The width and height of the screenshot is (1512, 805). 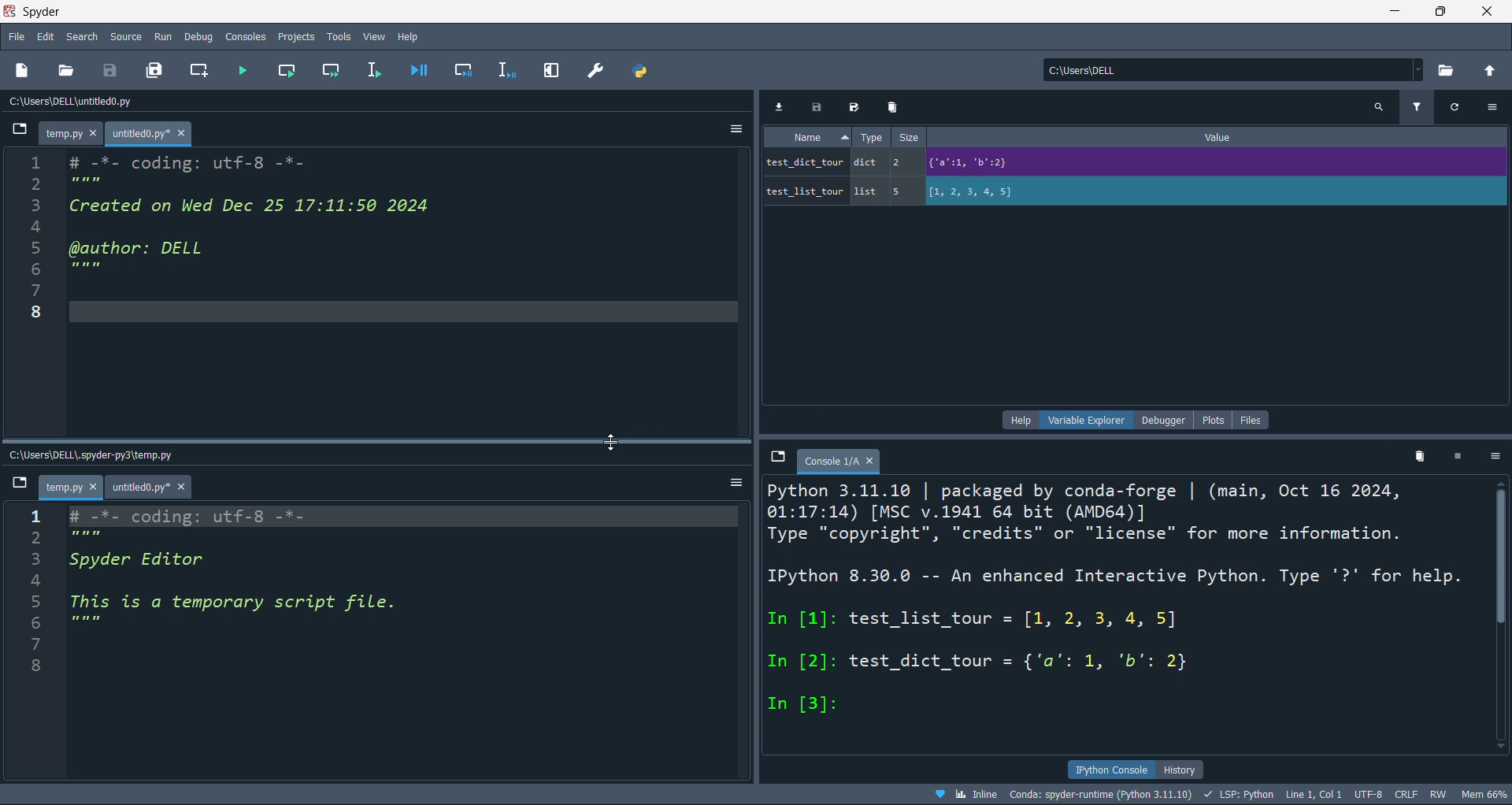 I want to click on cursor, so click(x=609, y=442).